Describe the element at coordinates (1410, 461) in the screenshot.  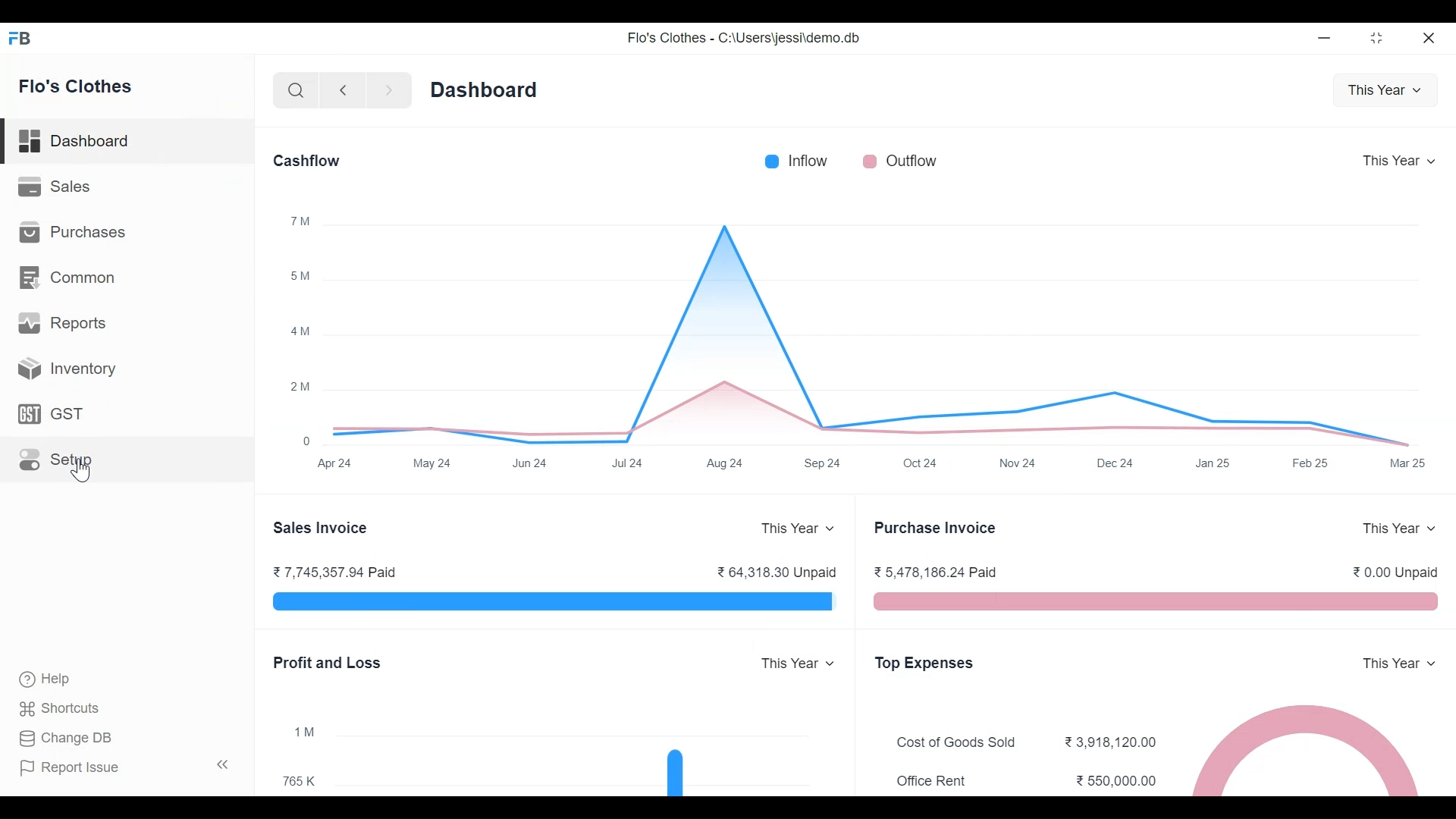
I see `Mar 25` at that location.